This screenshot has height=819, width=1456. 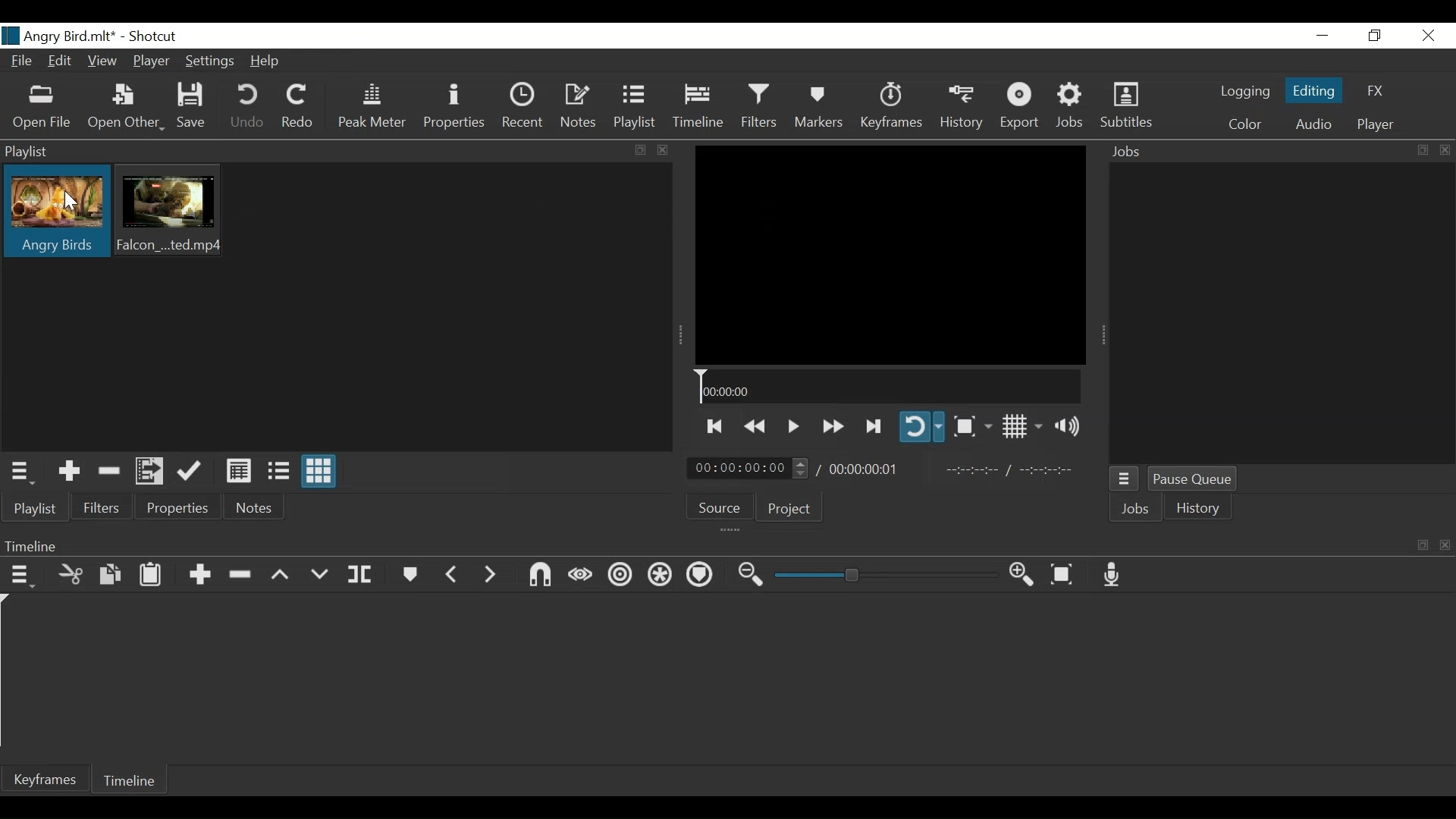 What do you see at coordinates (320, 472) in the screenshot?
I see `View as icons` at bounding box center [320, 472].